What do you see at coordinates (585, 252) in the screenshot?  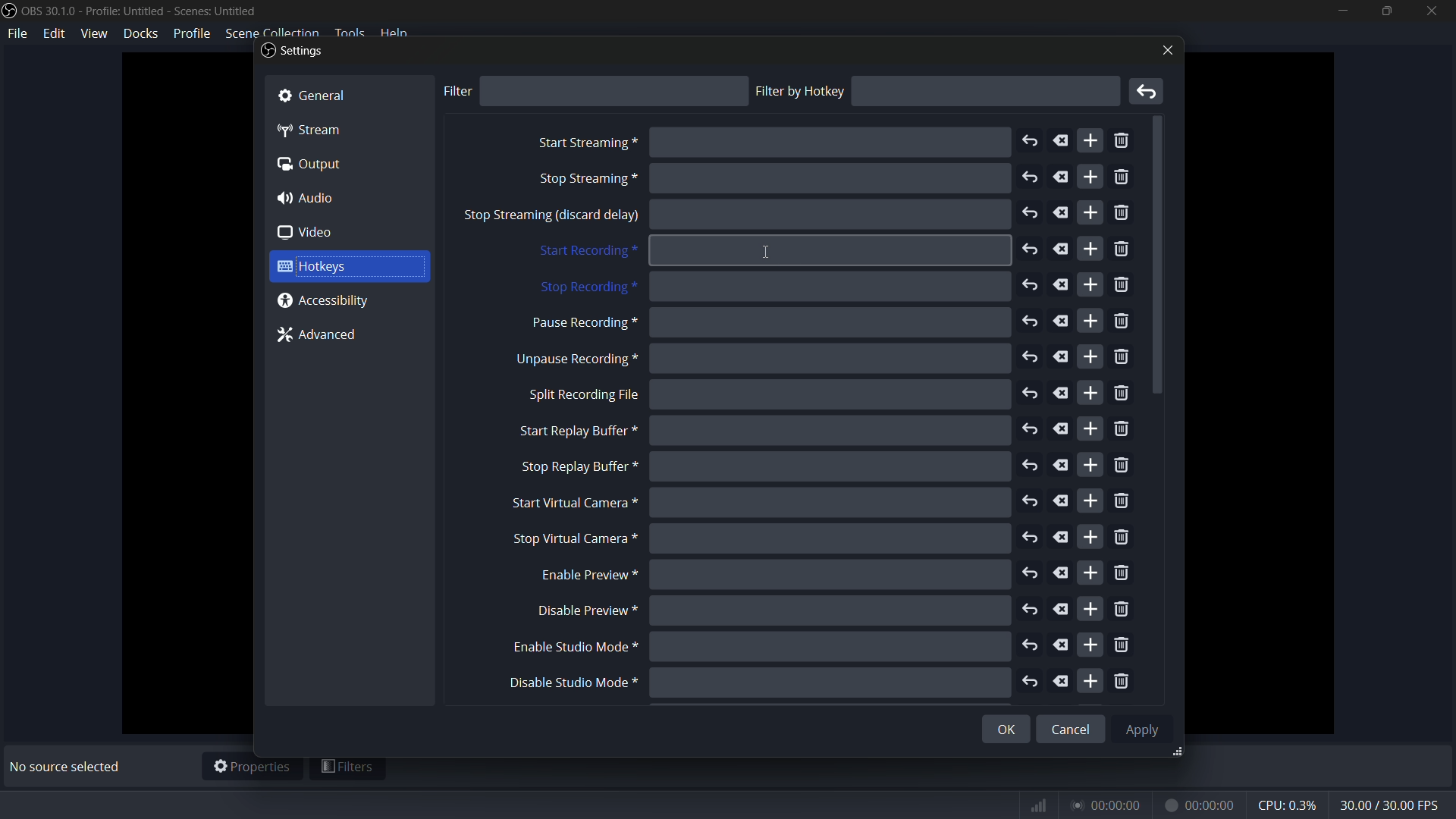 I see `start recording` at bounding box center [585, 252].